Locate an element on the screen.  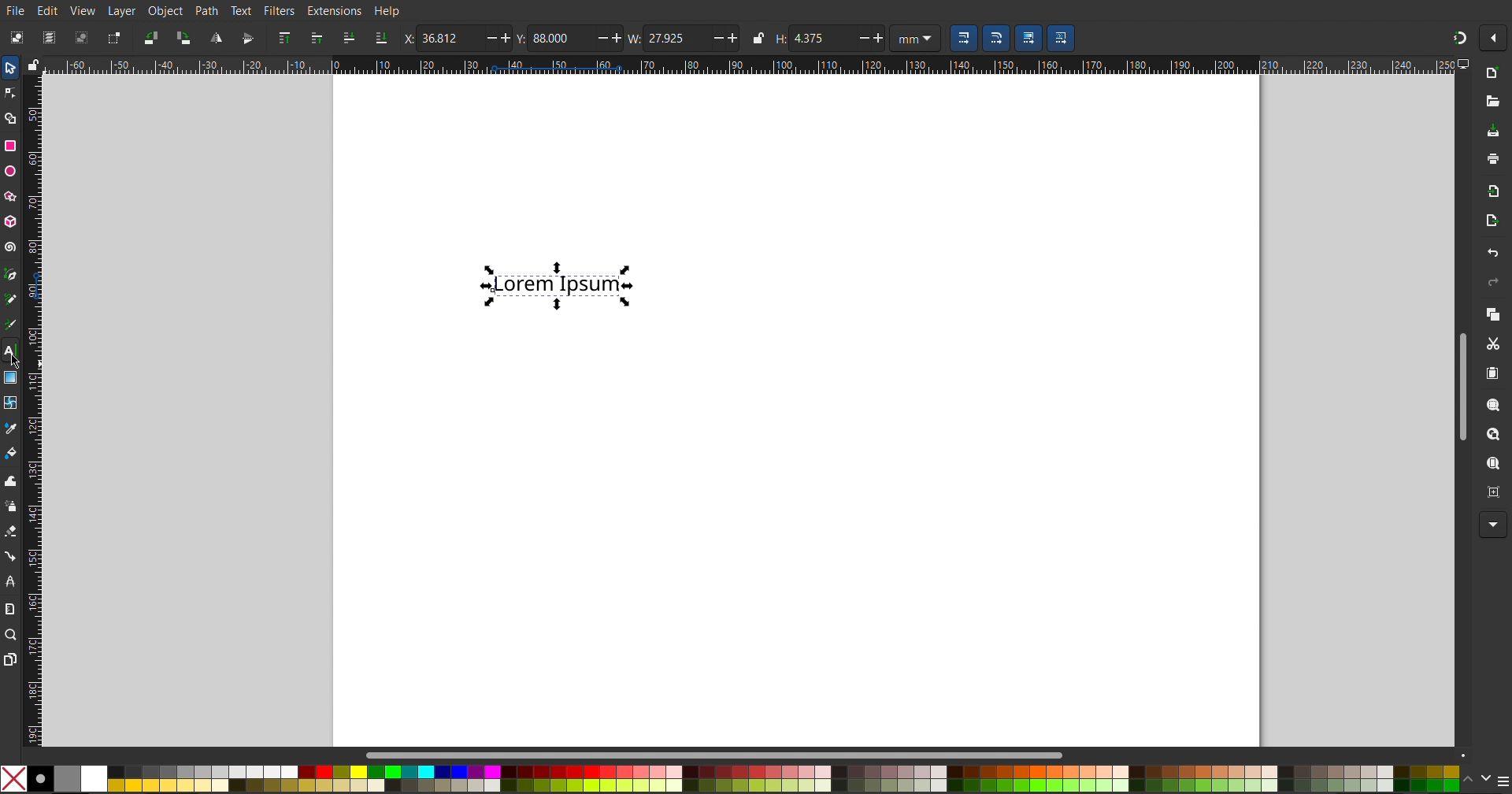
X coordinate is located at coordinates (458, 38).